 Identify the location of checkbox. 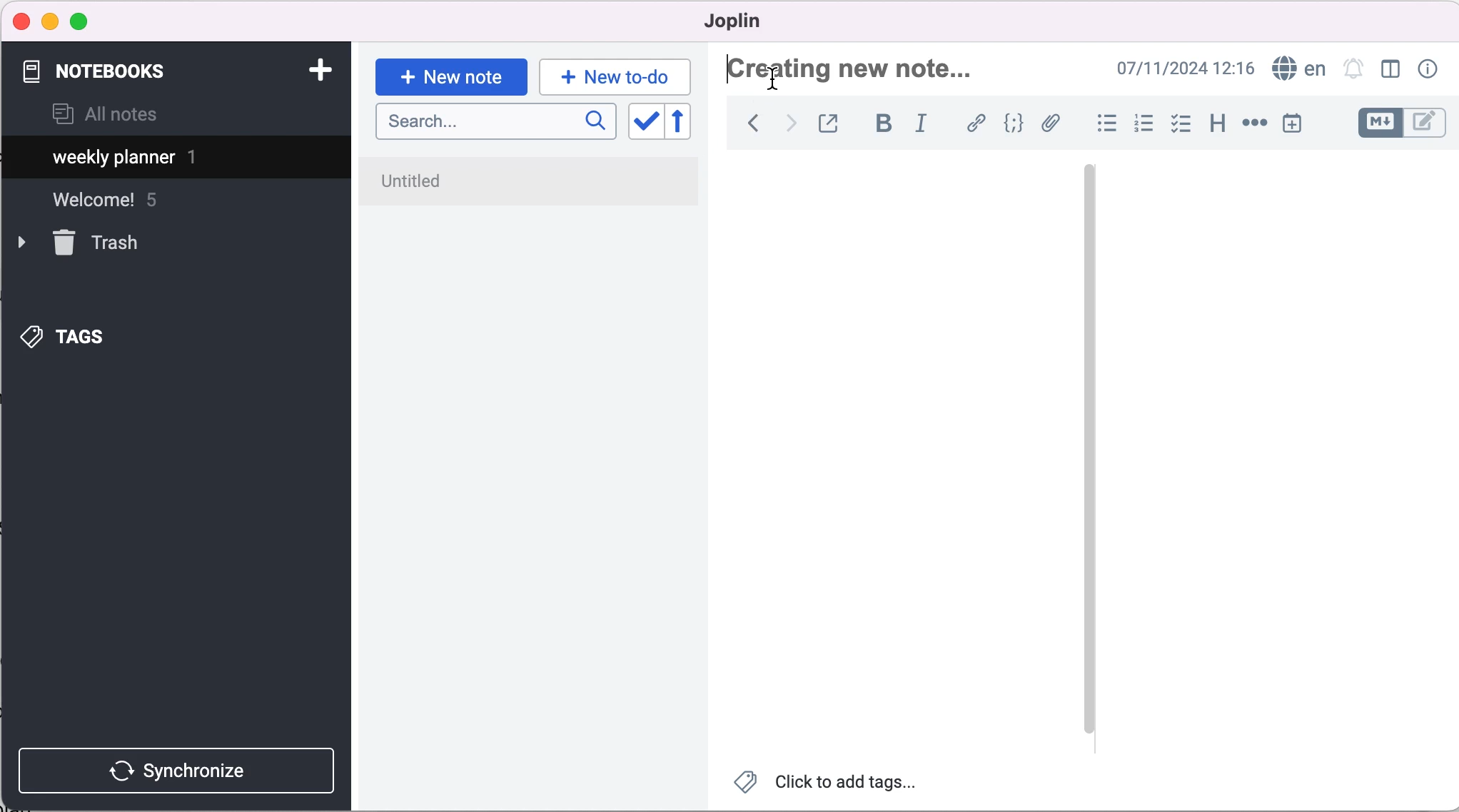
(1181, 124).